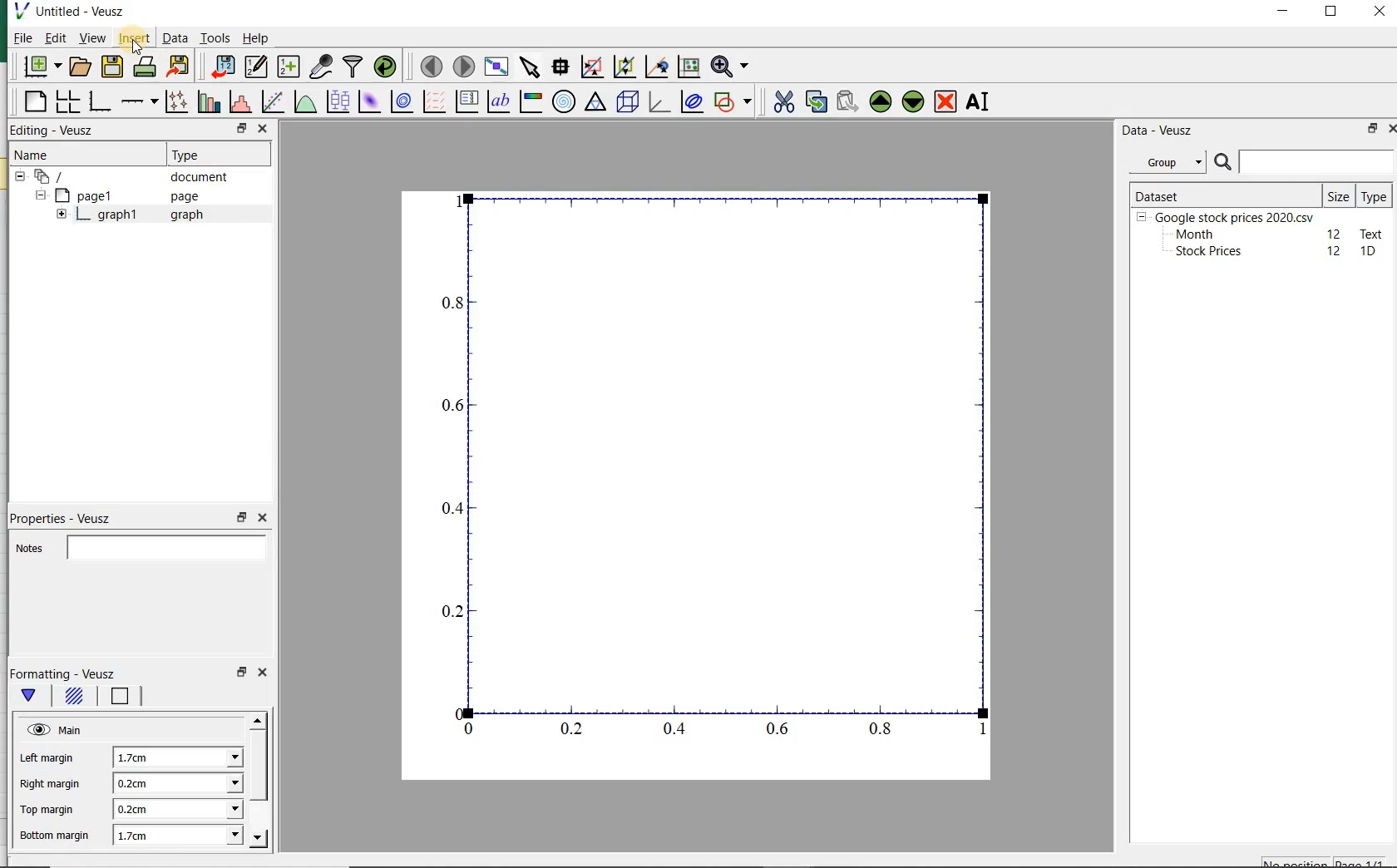 The width and height of the screenshot is (1397, 868). I want to click on 3d graph, so click(659, 103).